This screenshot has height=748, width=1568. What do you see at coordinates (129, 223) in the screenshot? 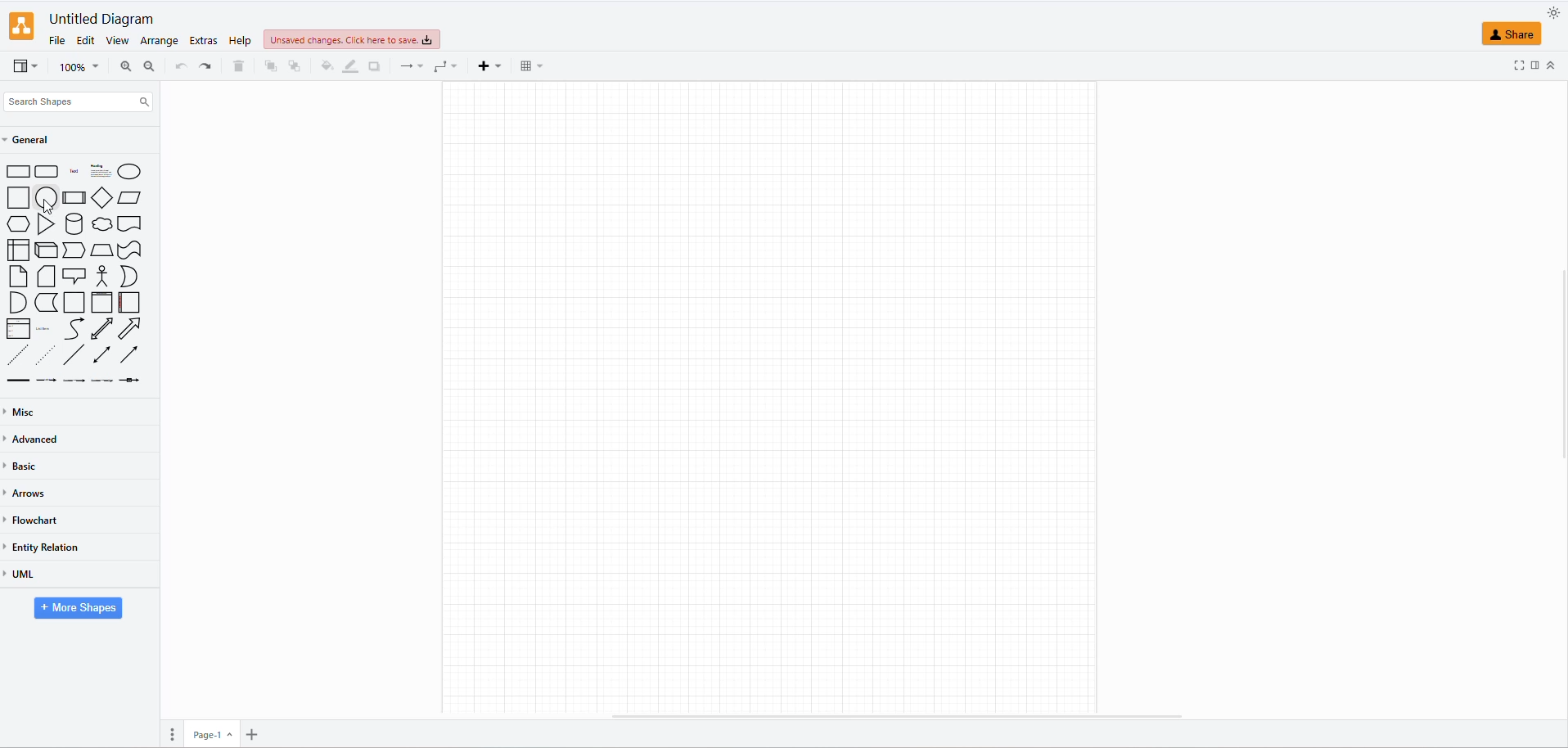
I see `DOCUMENT` at bounding box center [129, 223].